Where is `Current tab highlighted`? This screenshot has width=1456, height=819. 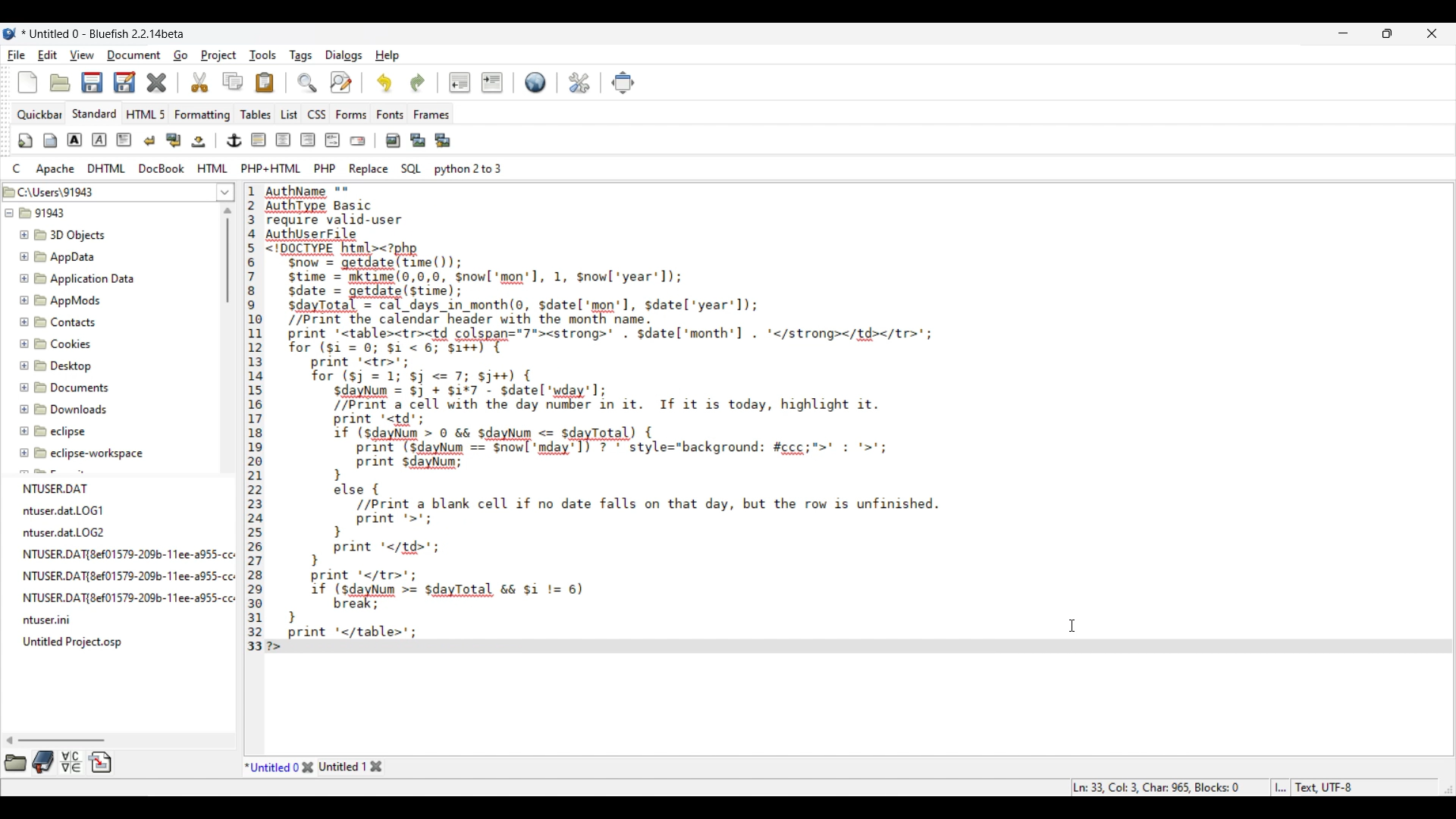
Current tab highlighted is located at coordinates (272, 766).